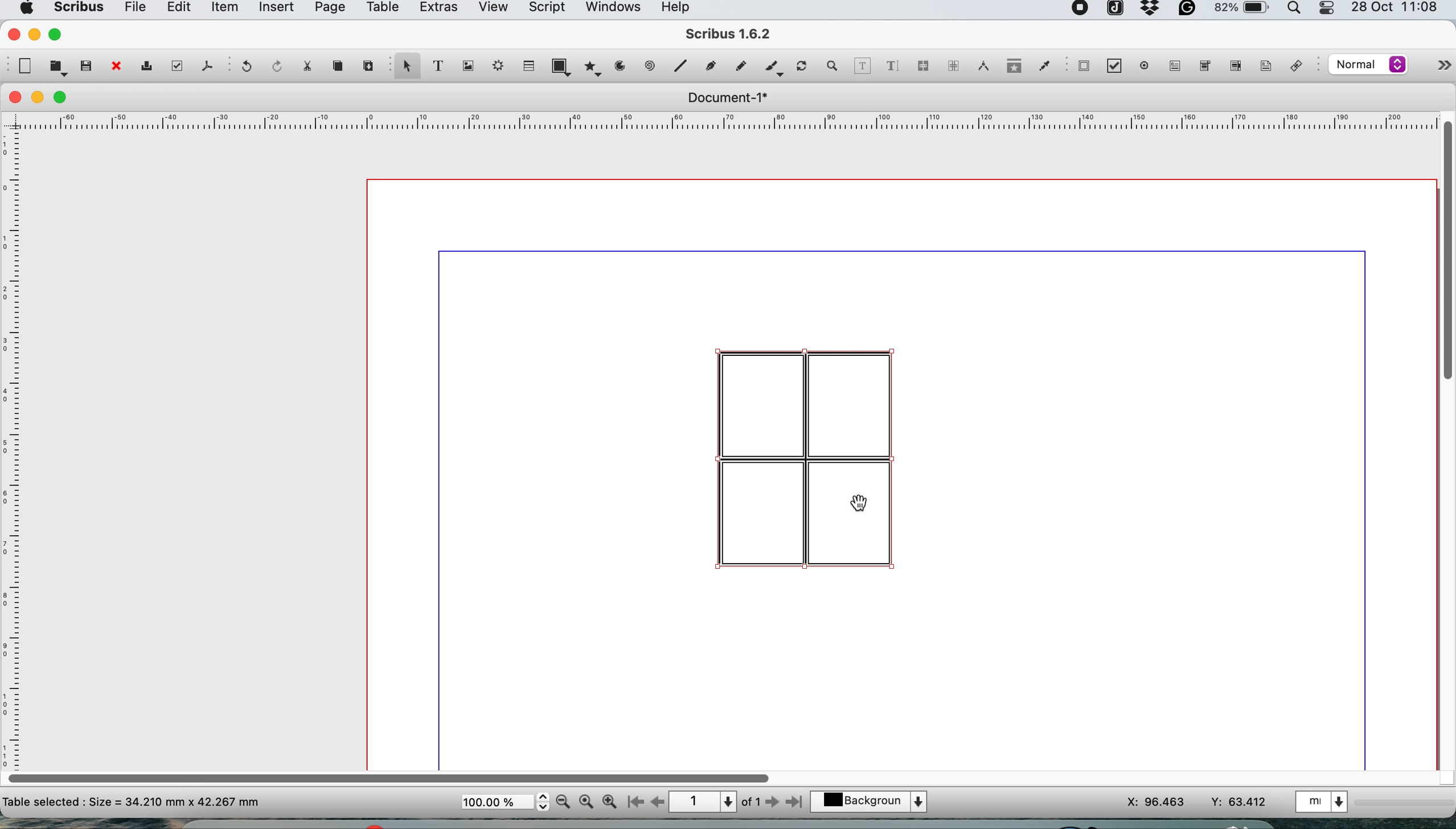 The image size is (1456, 829). I want to click on undo, so click(244, 67).